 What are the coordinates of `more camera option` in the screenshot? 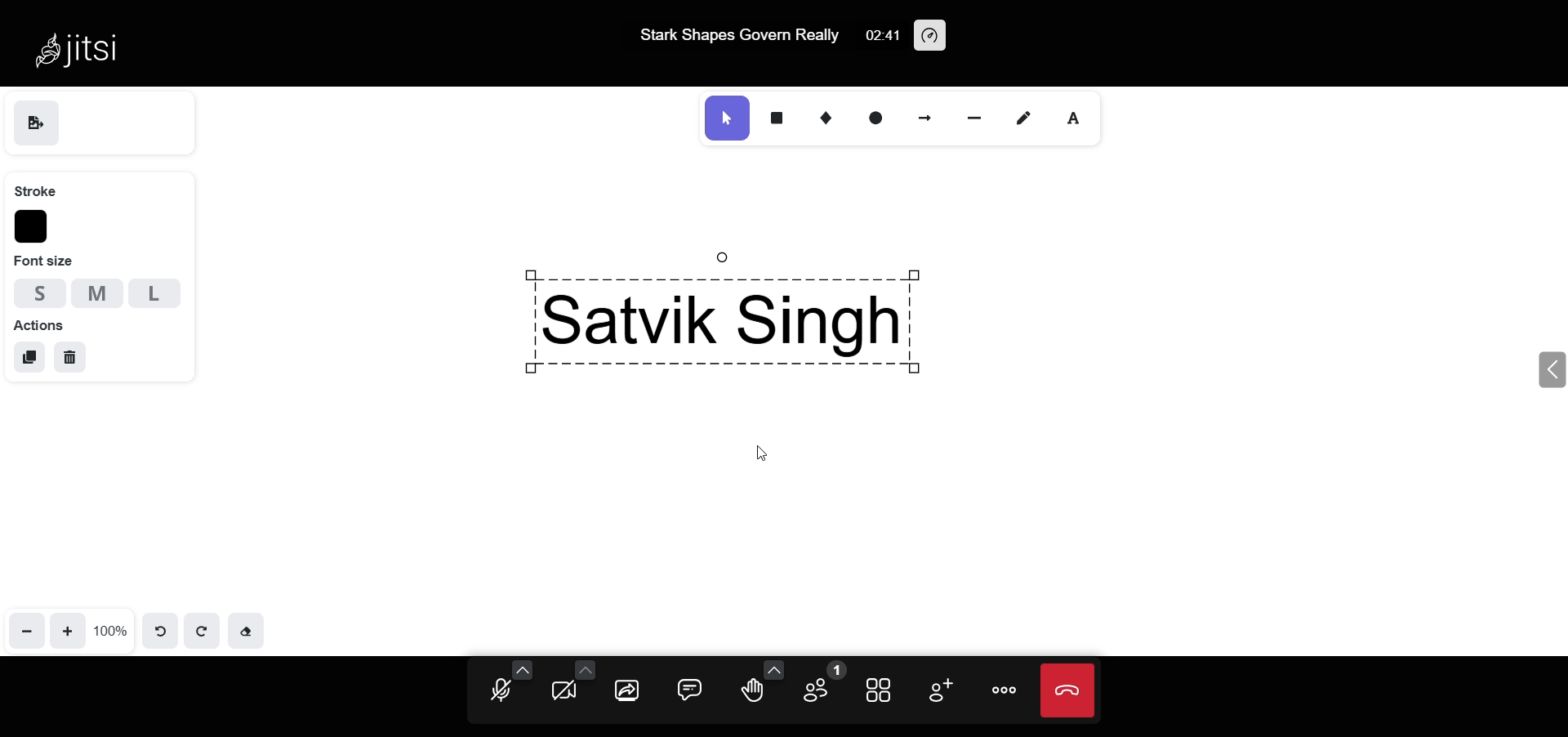 It's located at (585, 668).